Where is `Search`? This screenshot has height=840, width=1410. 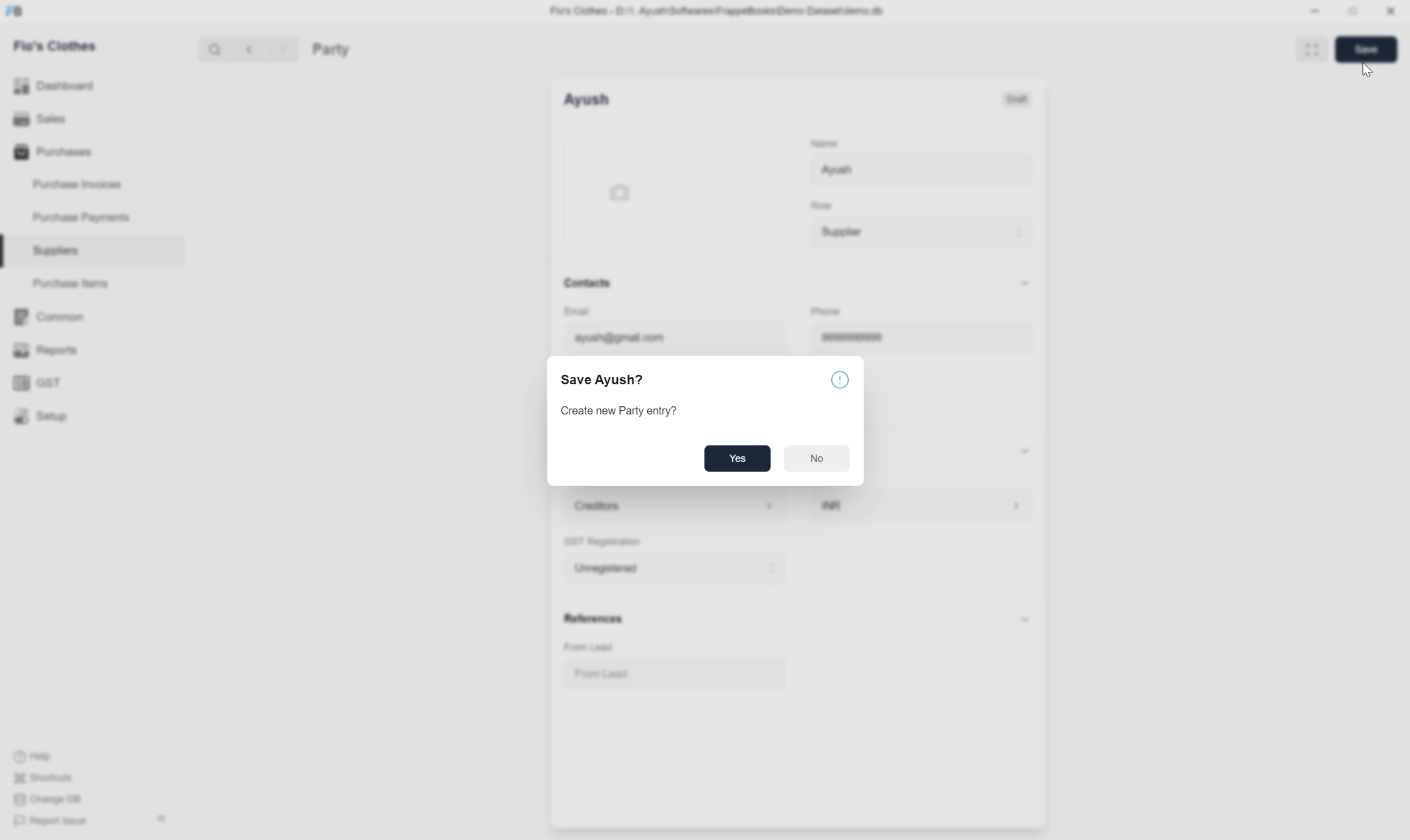 Search is located at coordinates (215, 49).